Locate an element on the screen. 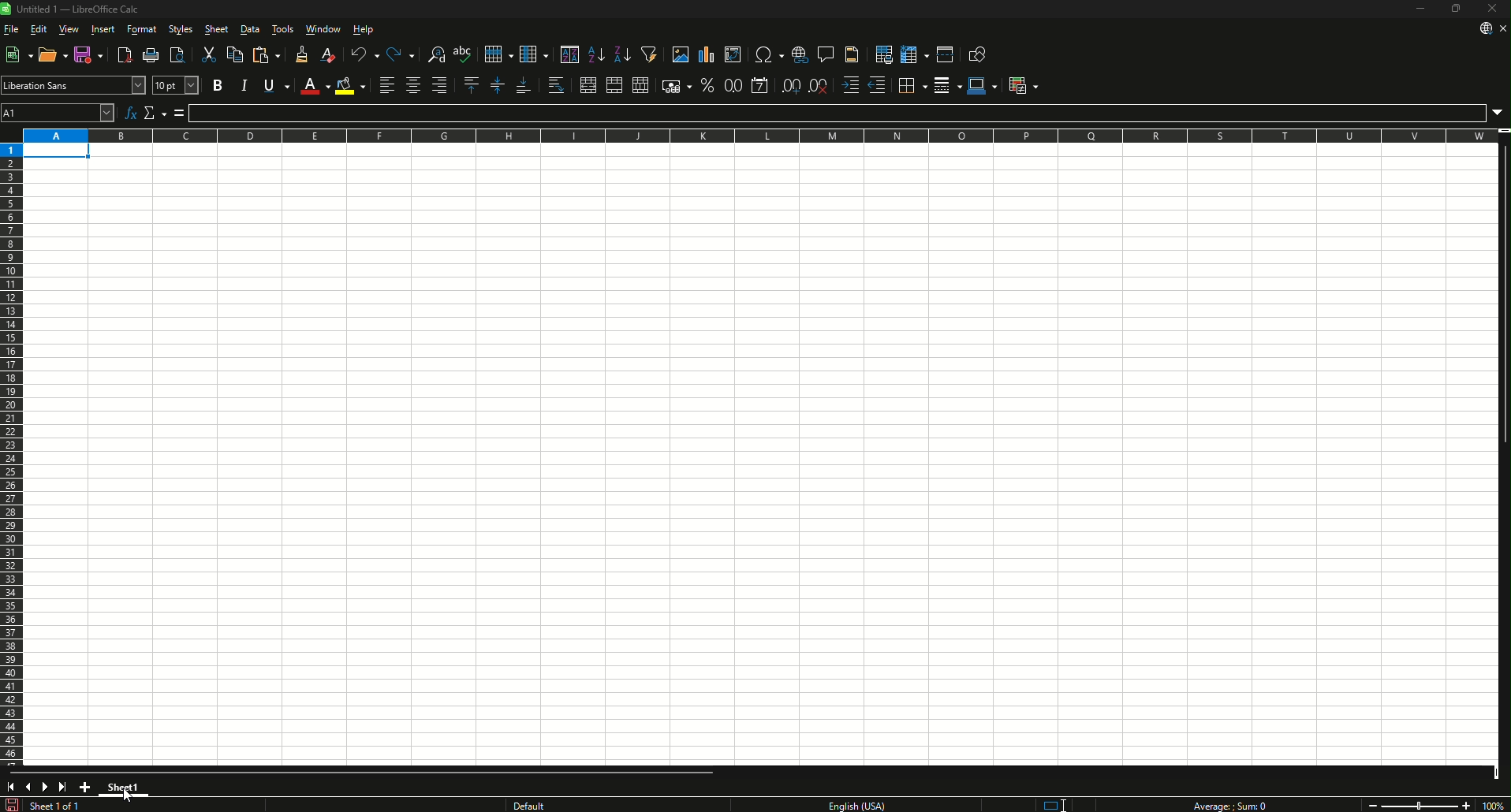 Image resolution: width=1511 pixels, height=812 pixels. Next slide is located at coordinates (43, 787).